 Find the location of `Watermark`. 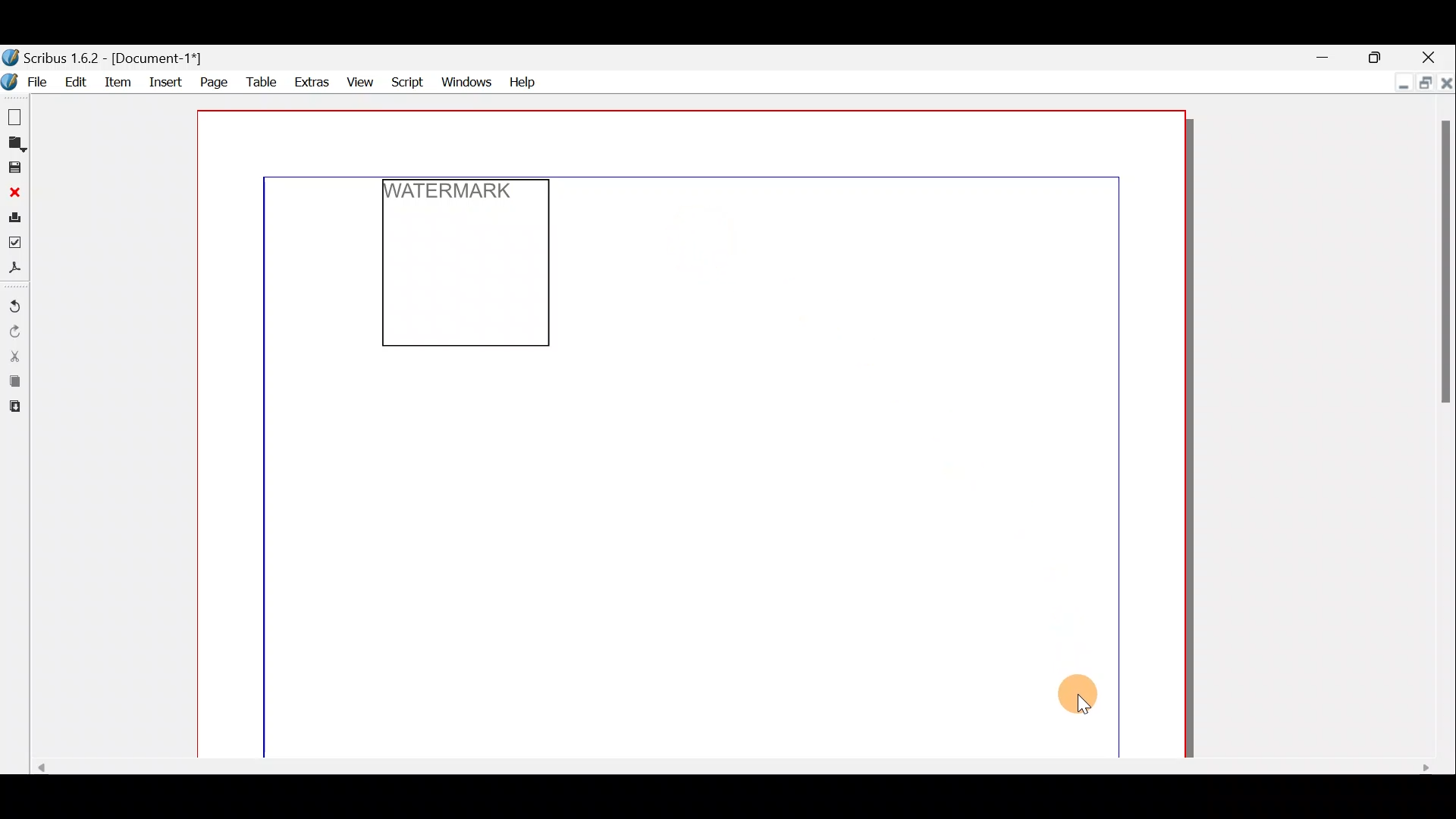

Watermark is located at coordinates (456, 194).